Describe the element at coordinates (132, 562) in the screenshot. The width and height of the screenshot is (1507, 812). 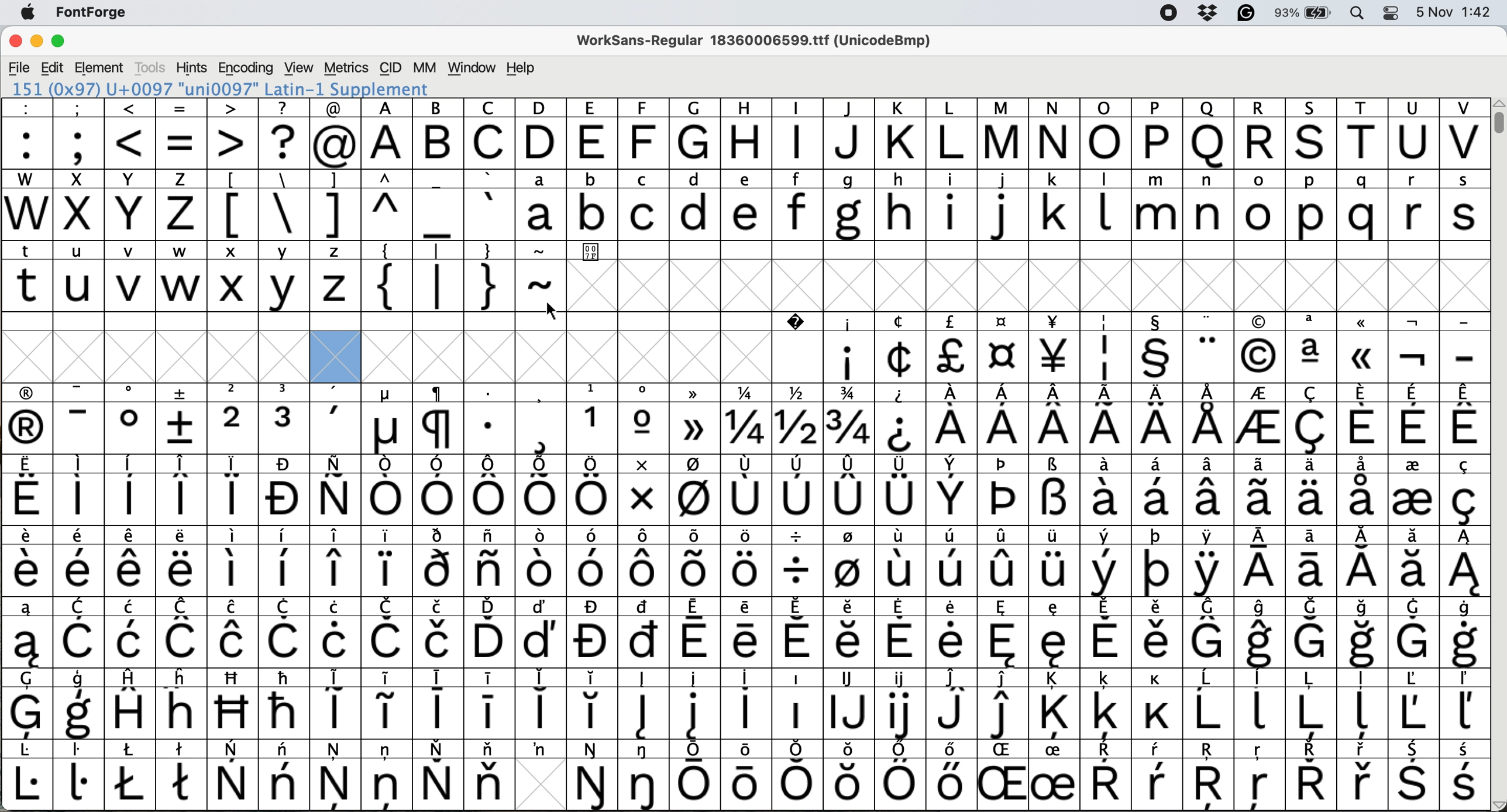
I see `symbol` at that location.